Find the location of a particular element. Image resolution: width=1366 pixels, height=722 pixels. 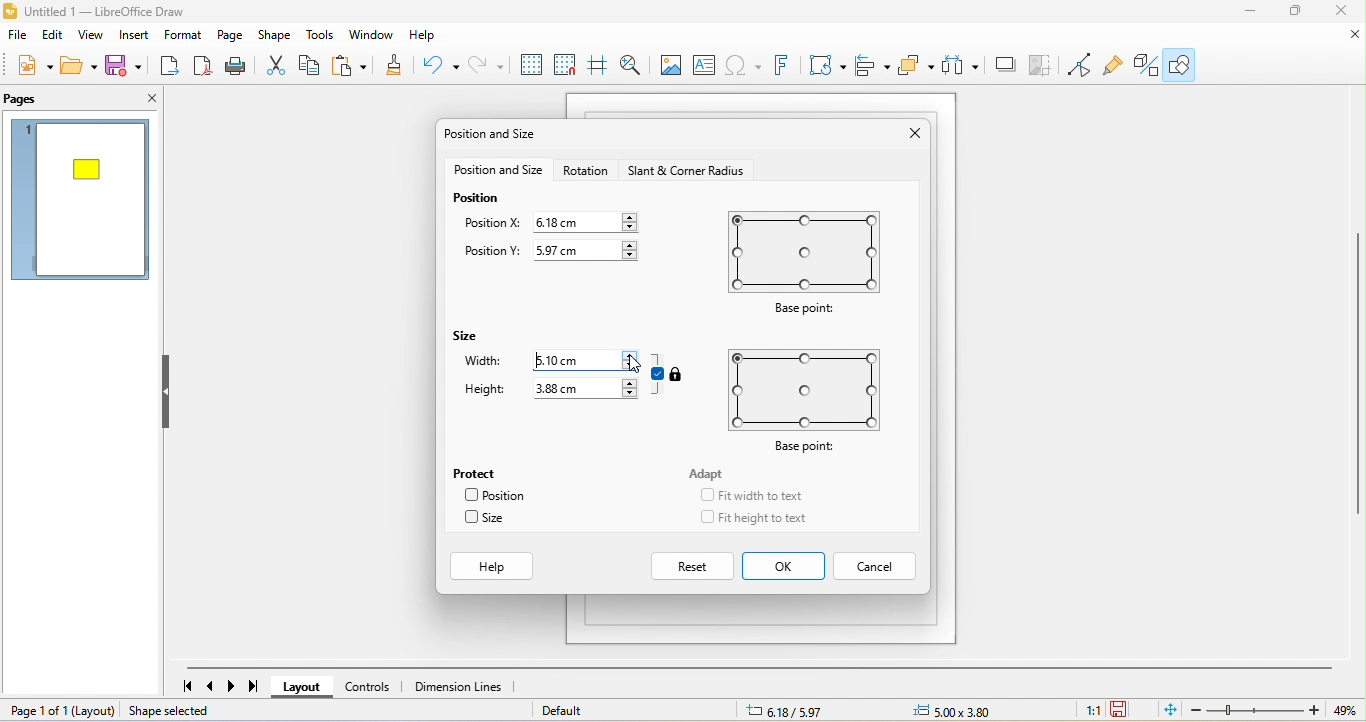

paste is located at coordinates (353, 64).